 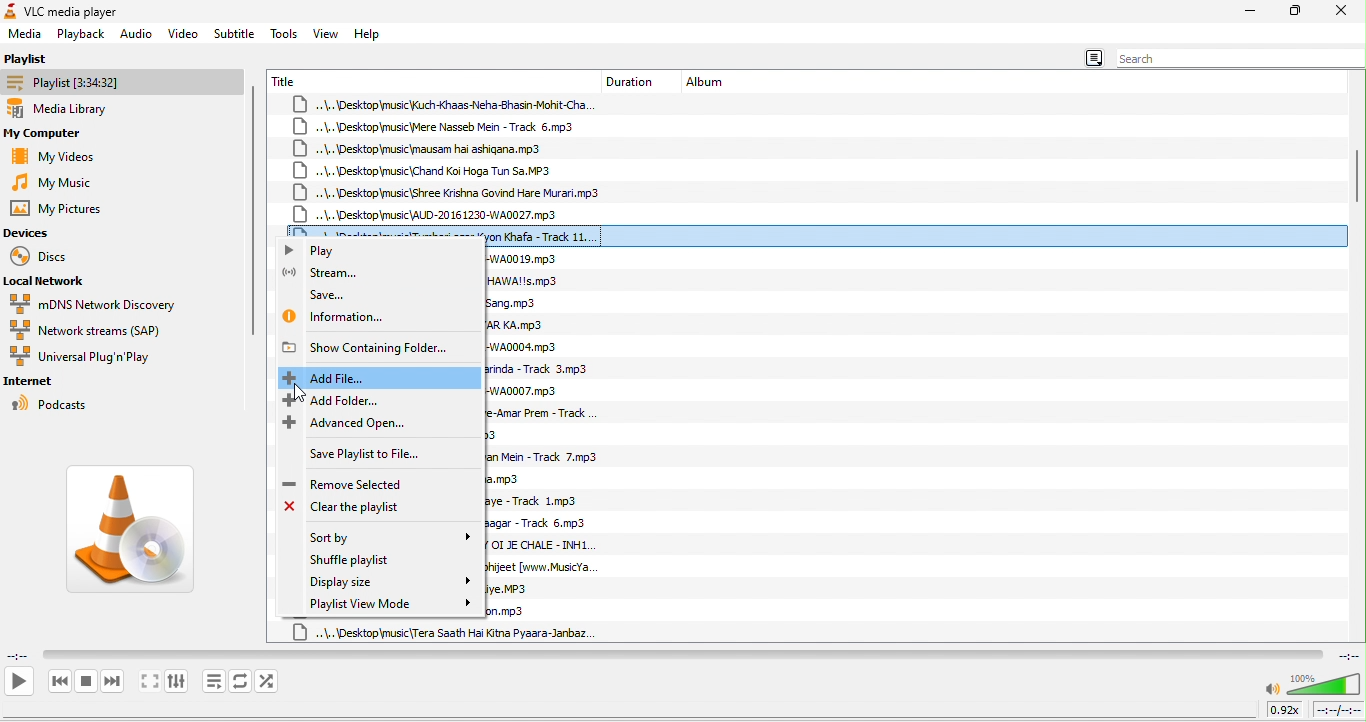 What do you see at coordinates (352, 400) in the screenshot?
I see `add folder` at bounding box center [352, 400].